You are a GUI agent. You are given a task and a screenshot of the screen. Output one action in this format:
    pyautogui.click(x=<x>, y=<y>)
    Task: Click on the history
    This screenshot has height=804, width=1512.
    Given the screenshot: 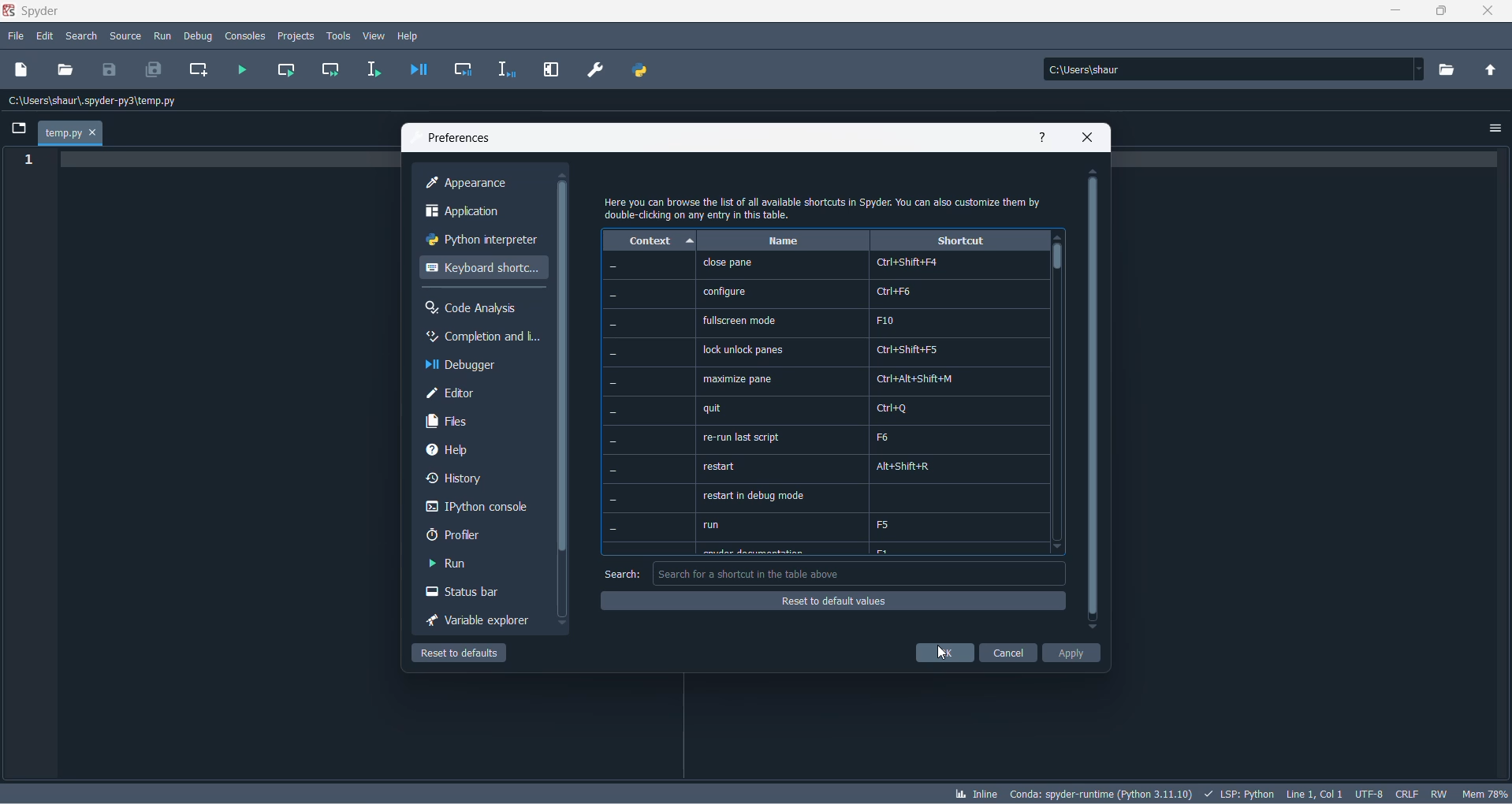 What is the action you would take?
    pyautogui.click(x=476, y=481)
    